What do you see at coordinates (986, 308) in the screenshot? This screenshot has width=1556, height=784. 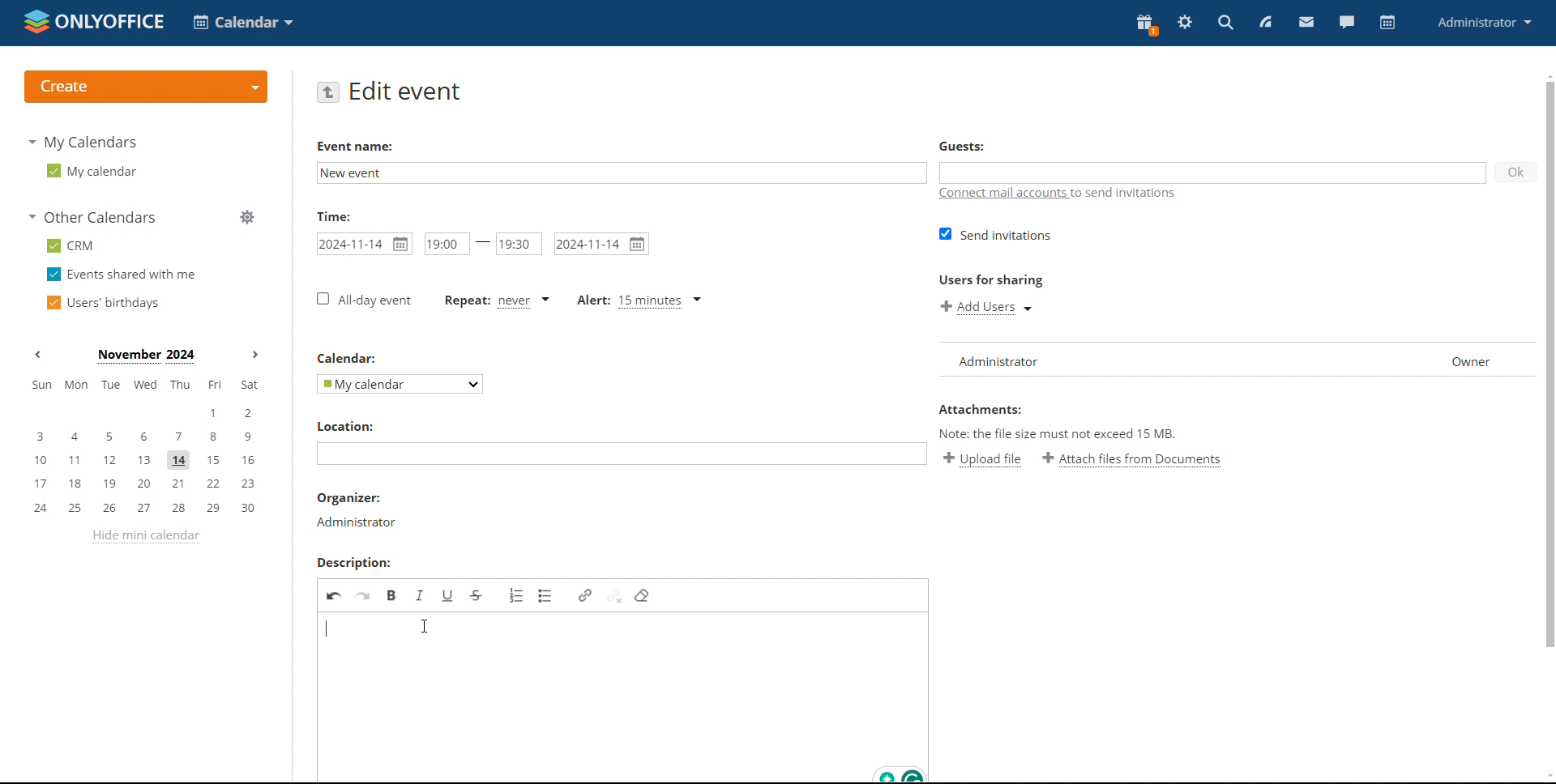 I see `add users` at bounding box center [986, 308].